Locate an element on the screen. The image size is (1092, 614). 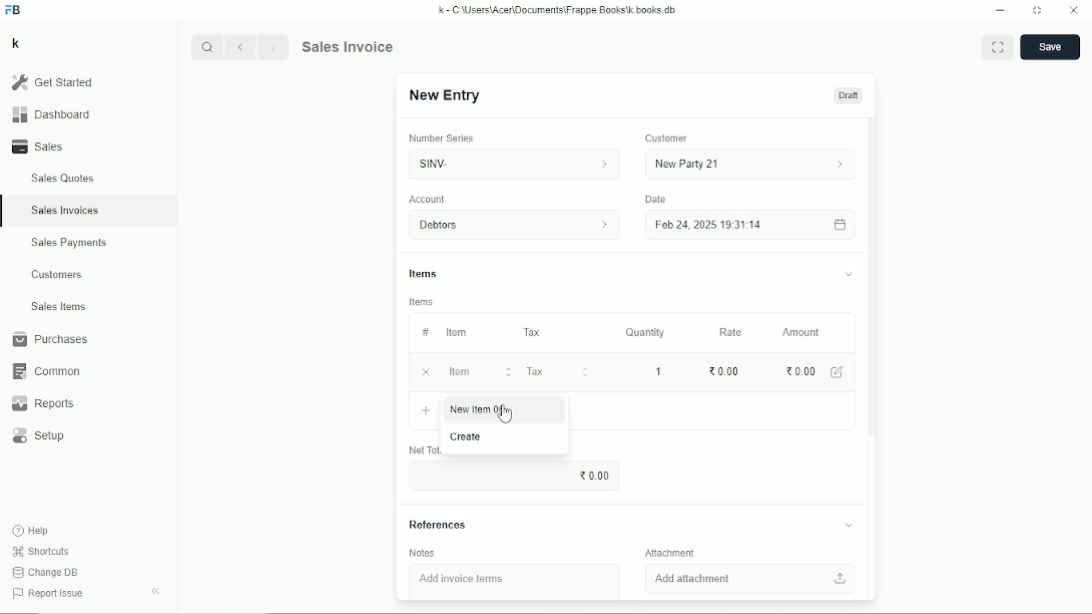
Change DB is located at coordinates (45, 573).